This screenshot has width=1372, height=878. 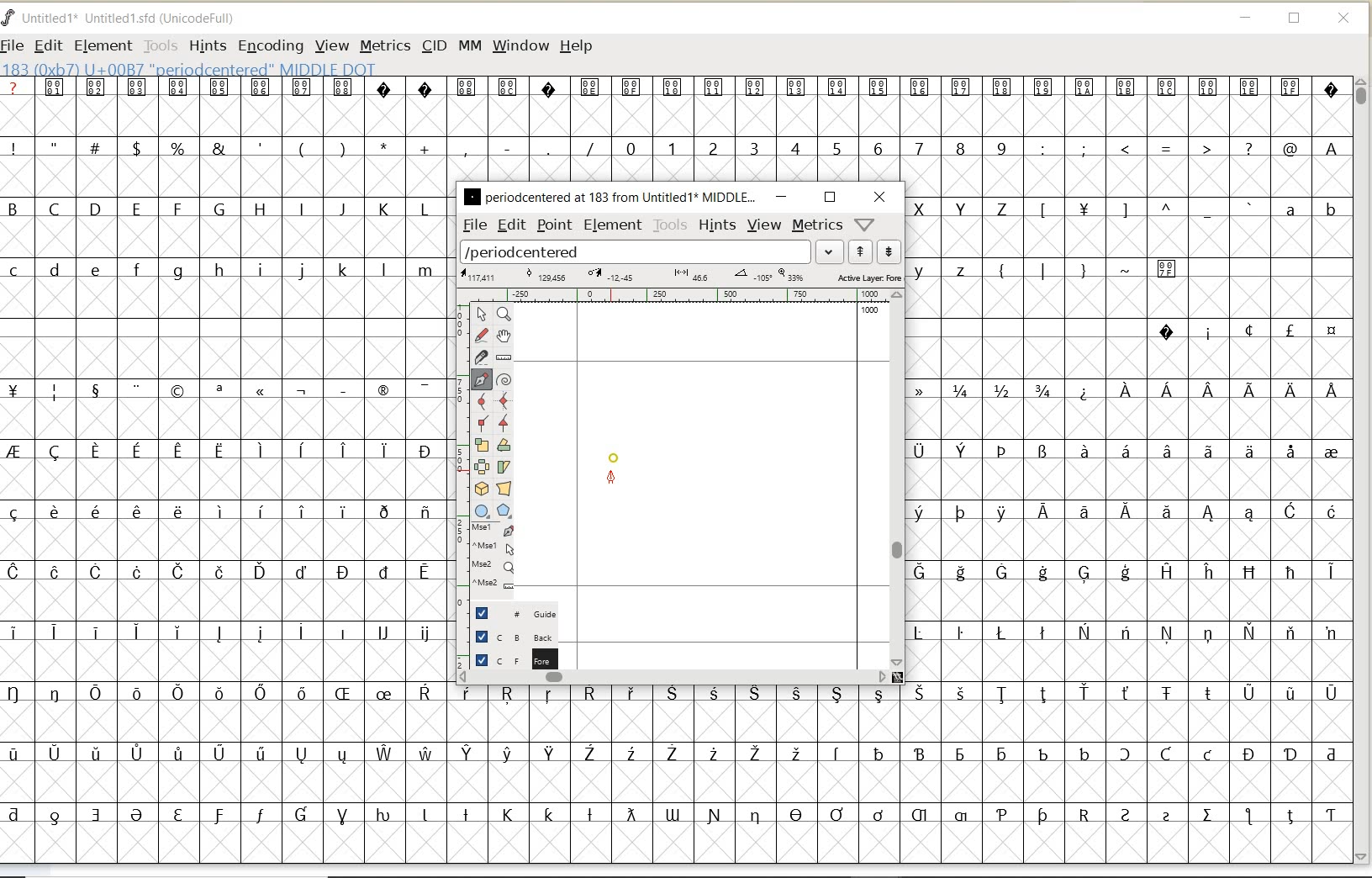 What do you see at coordinates (504, 421) in the screenshot?
I see `Add a corner point` at bounding box center [504, 421].